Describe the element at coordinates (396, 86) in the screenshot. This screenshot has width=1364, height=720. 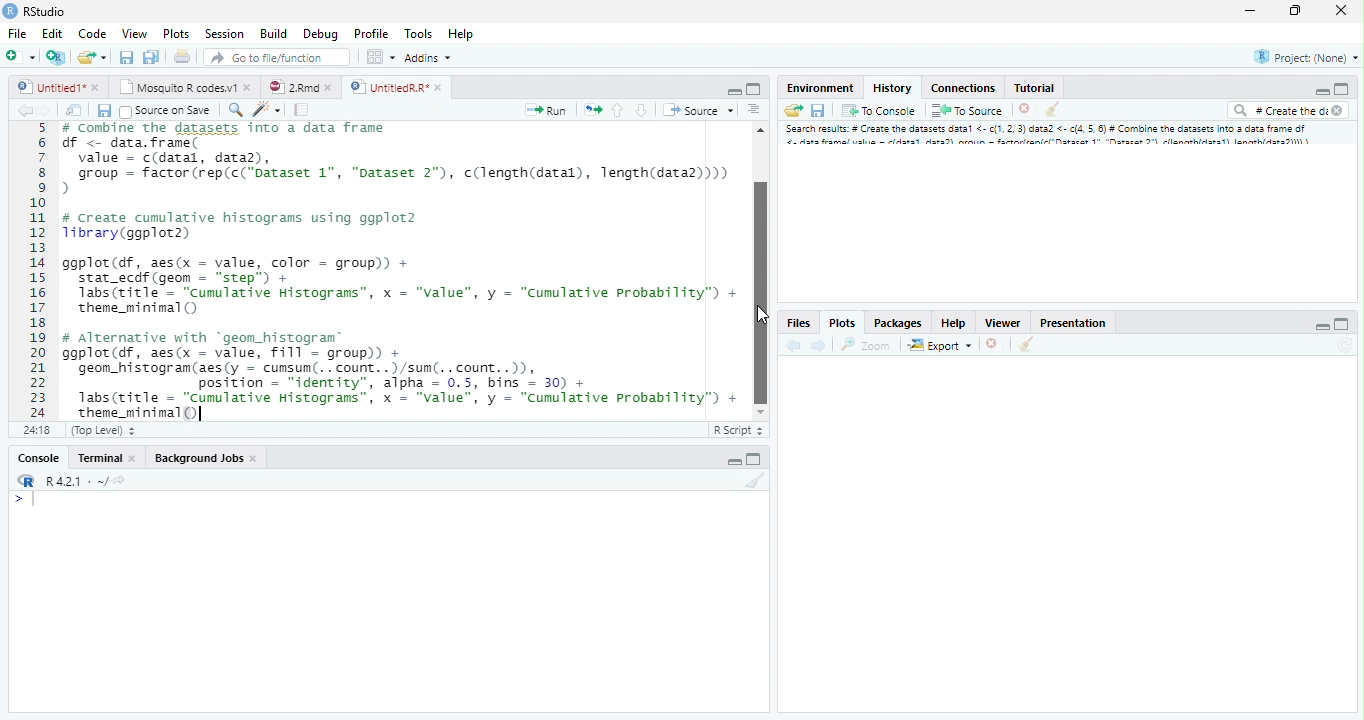
I see `UntitledR.R` at that location.